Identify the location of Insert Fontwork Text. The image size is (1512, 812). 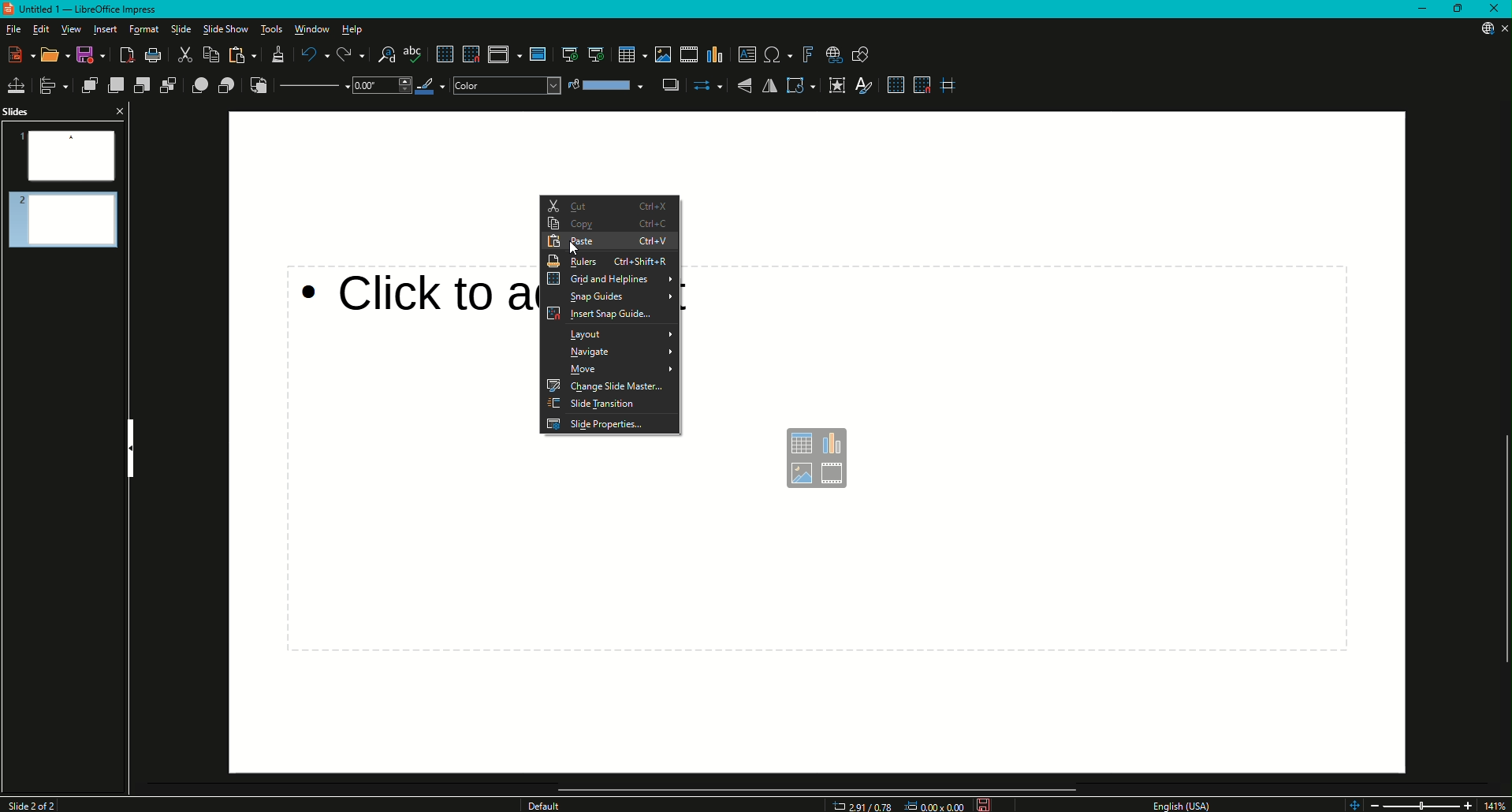
(807, 54).